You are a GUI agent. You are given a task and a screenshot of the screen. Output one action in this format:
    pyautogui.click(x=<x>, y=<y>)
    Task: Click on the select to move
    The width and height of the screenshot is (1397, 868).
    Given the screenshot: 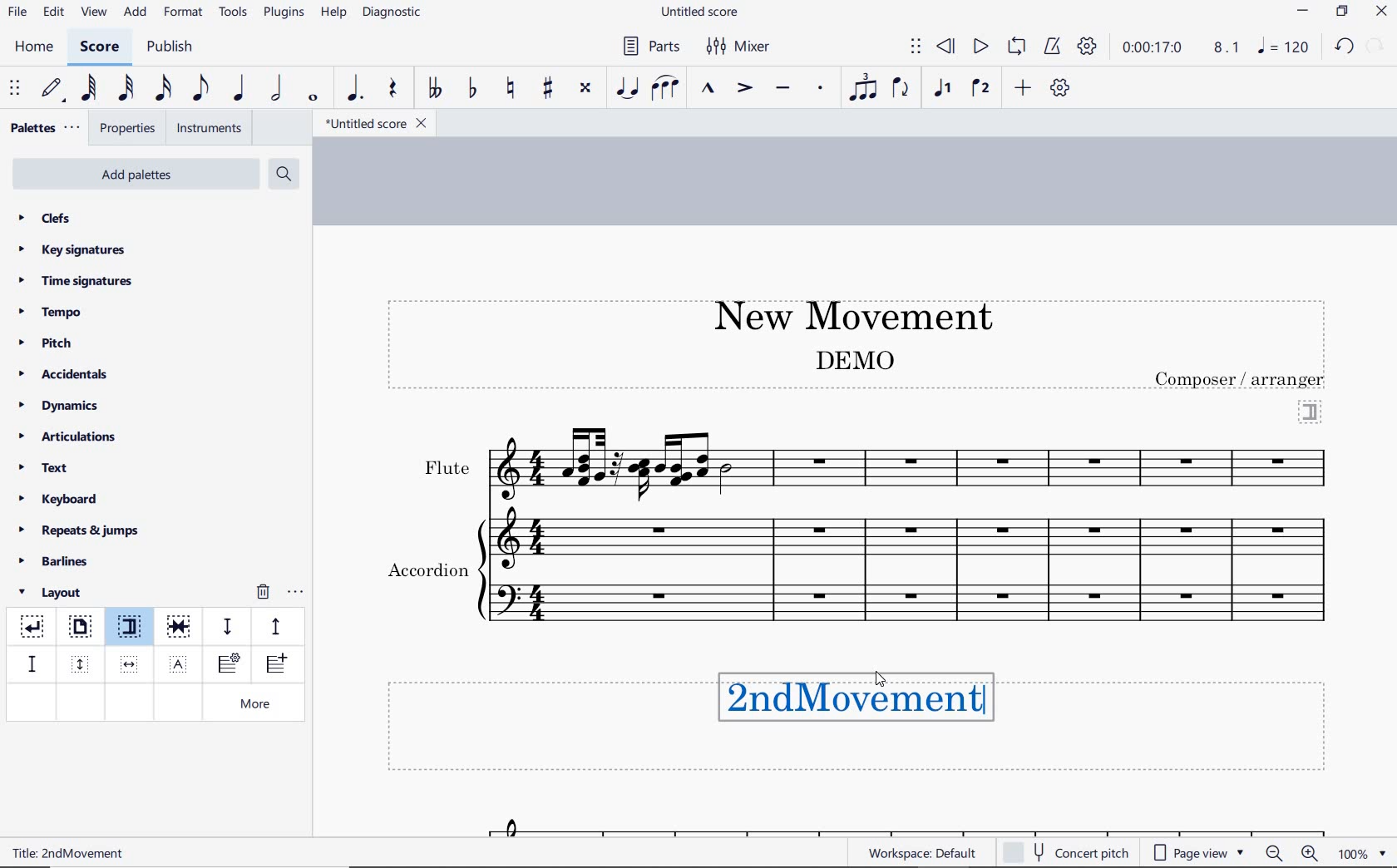 What is the action you would take?
    pyautogui.click(x=916, y=47)
    